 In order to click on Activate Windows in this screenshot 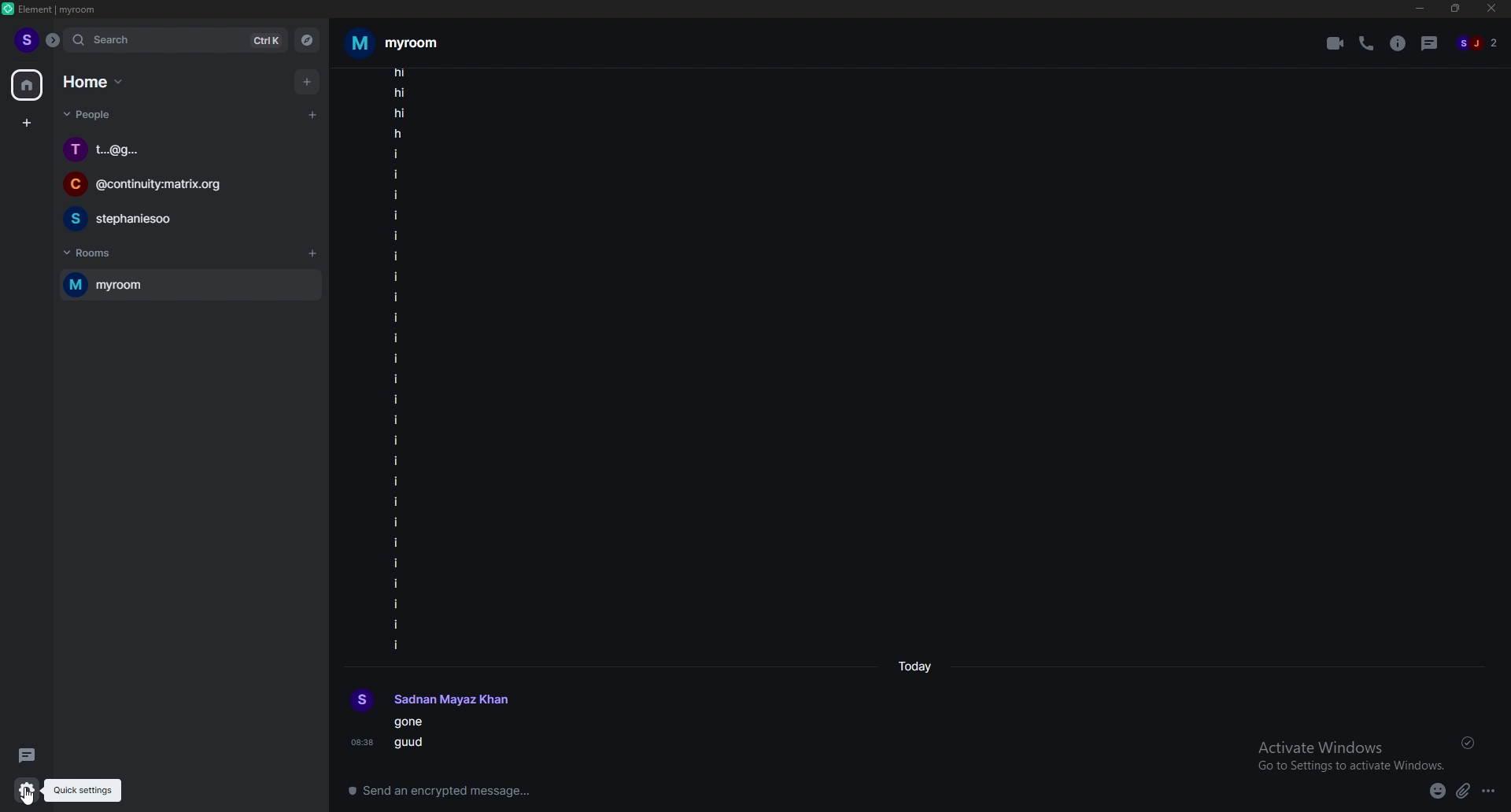, I will do `click(1349, 750)`.